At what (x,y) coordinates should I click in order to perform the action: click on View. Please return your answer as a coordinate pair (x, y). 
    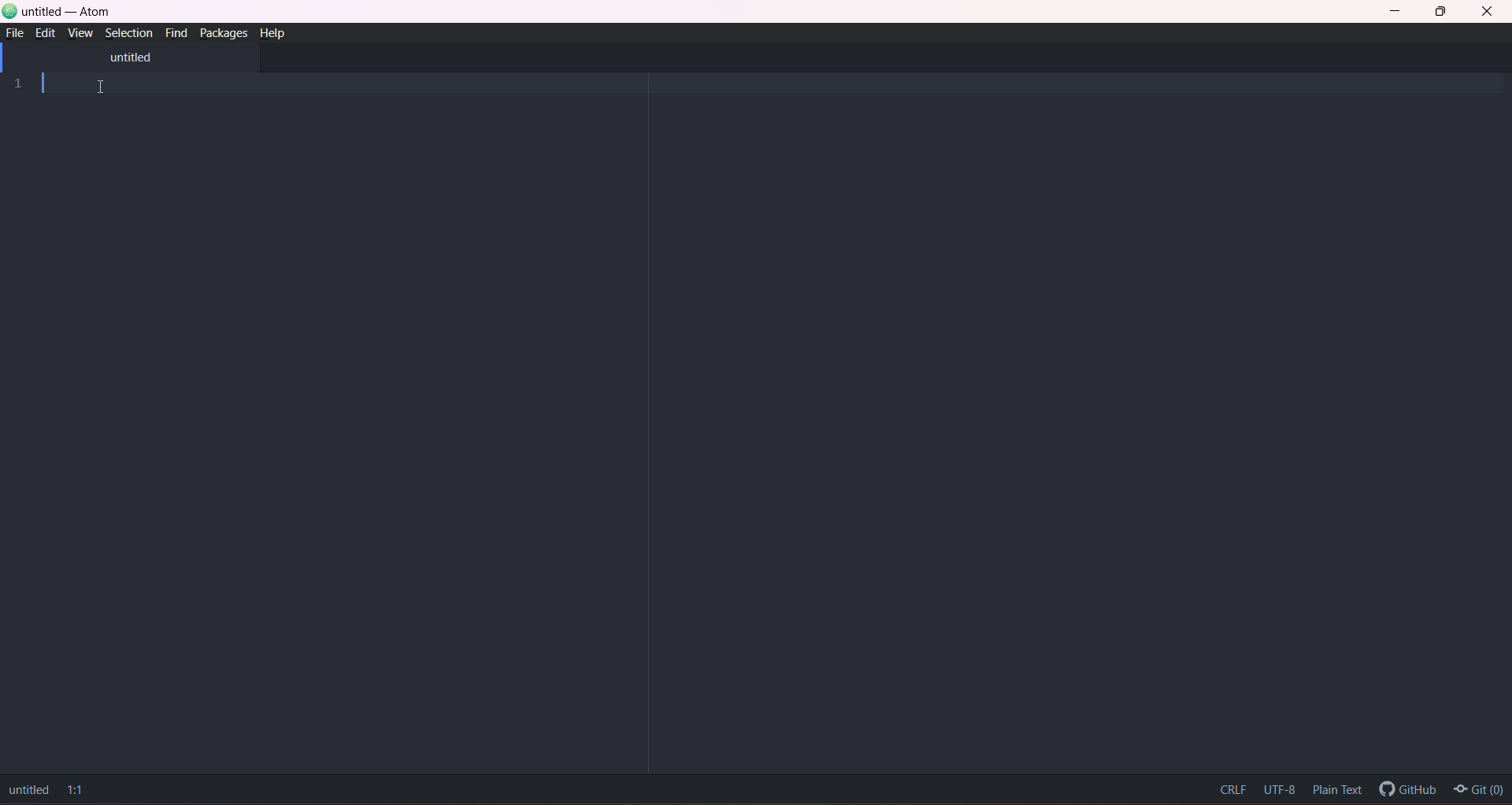
    Looking at the image, I should click on (80, 33).